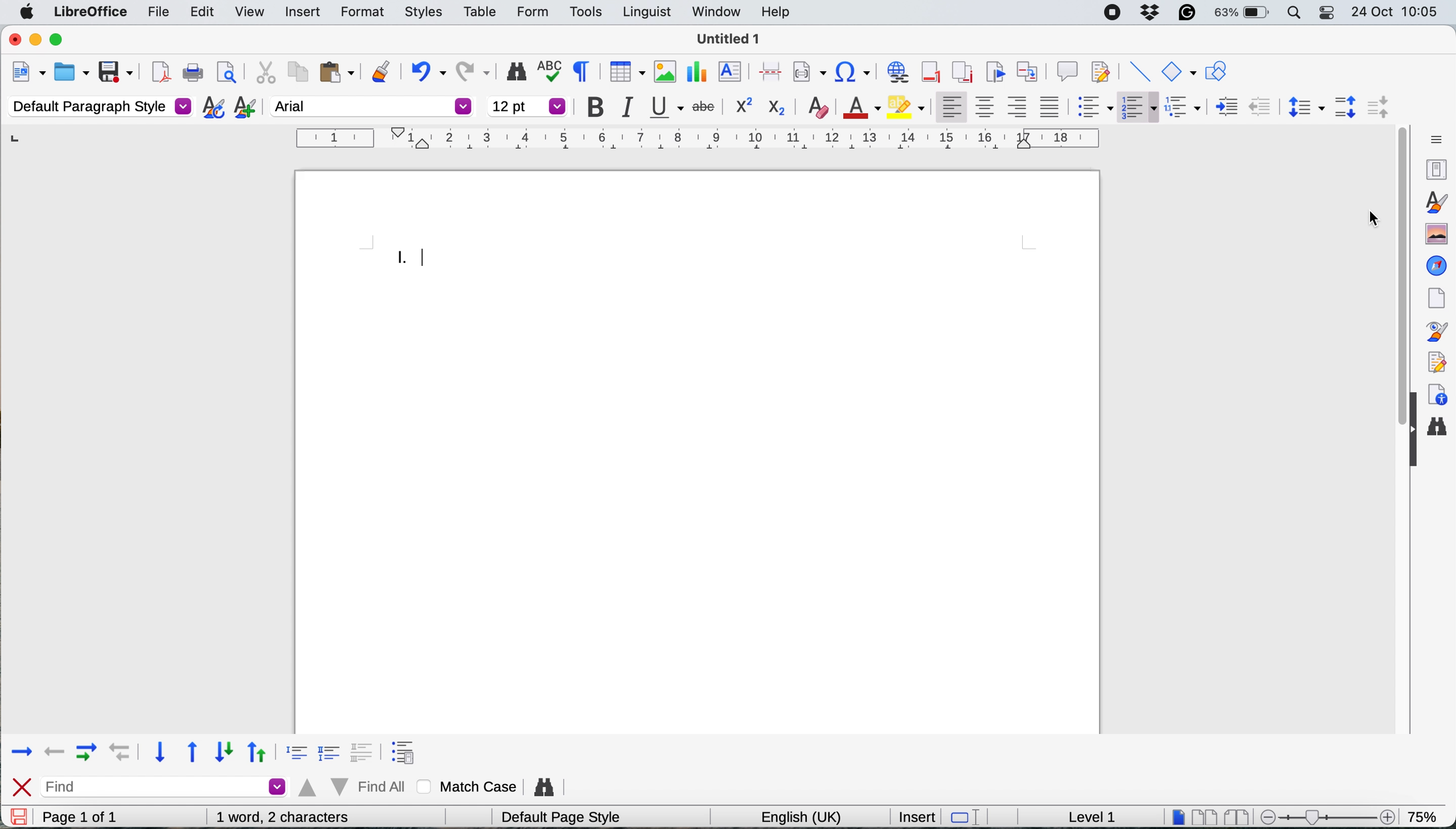  Describe the element at coordinates (296, 71) in the screenshot. I see `copy` at that location.